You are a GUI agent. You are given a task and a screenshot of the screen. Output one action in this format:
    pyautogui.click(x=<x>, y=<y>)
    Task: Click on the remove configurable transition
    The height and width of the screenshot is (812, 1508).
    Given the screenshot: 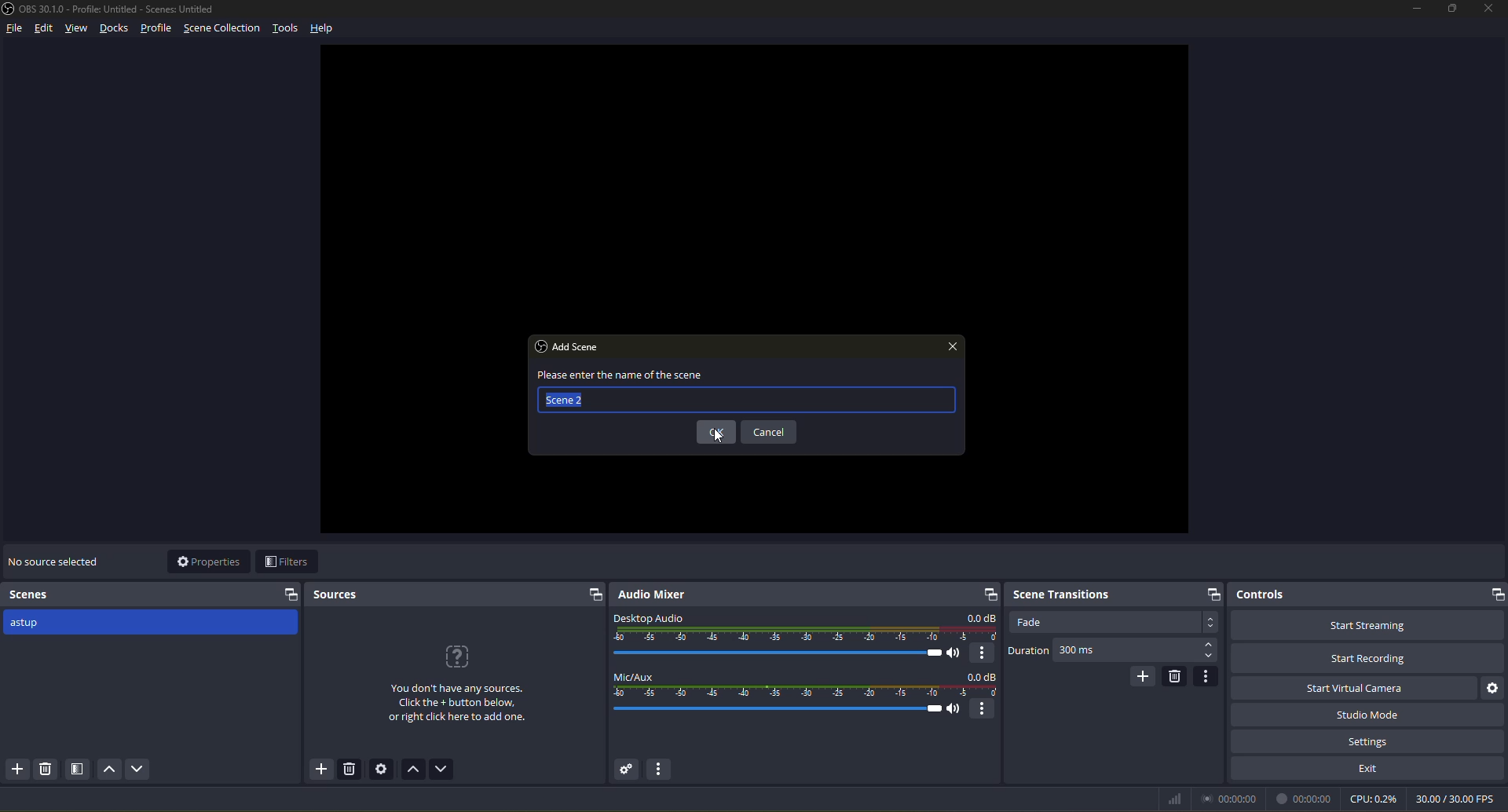 What is the action you would take?
    pyautogui.click(x=1175, y=676)
    